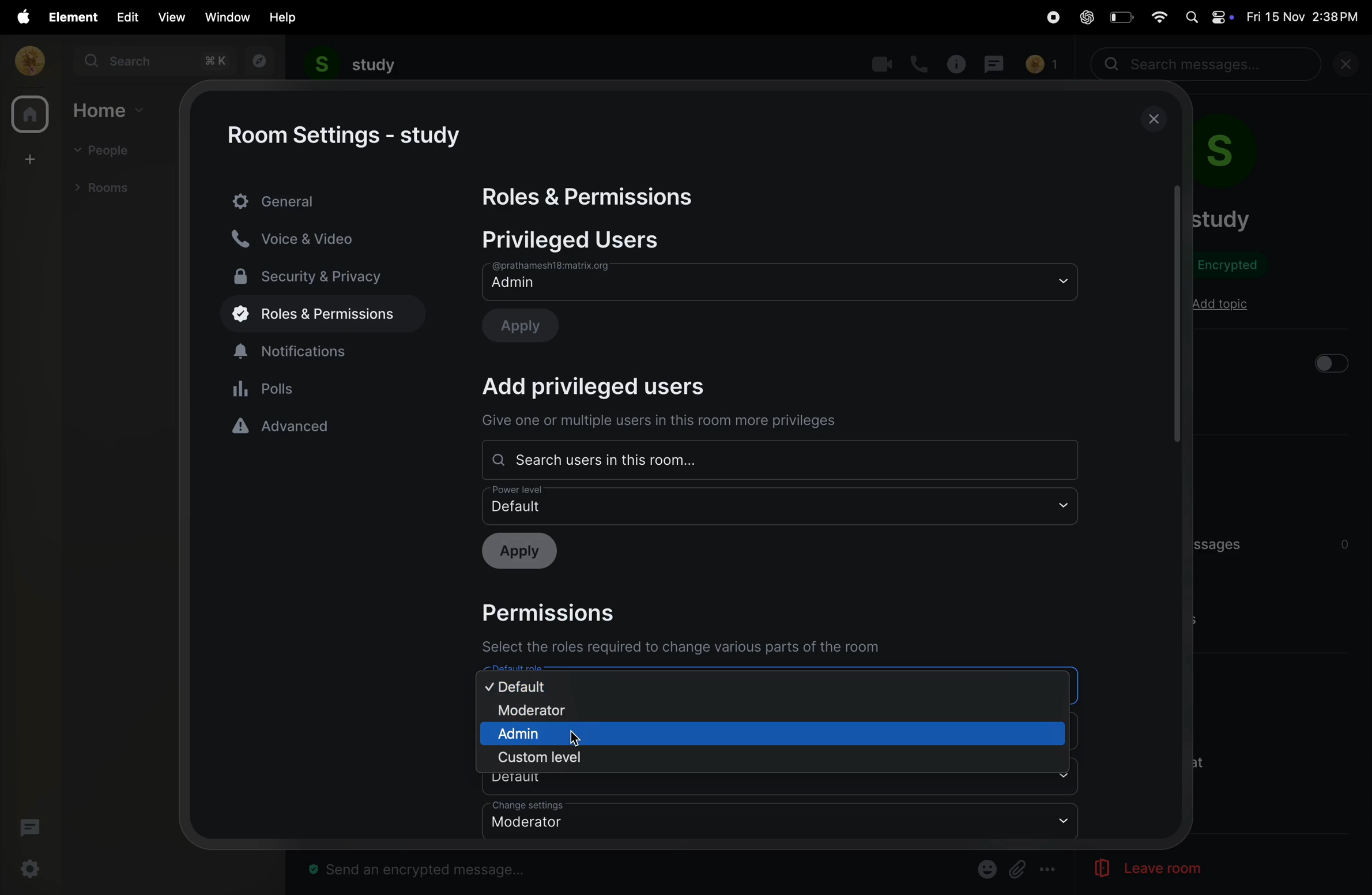  What do you see at coordinates (257, 61) in the screenshot?
I see `explore` at bounding box center [257, 61].